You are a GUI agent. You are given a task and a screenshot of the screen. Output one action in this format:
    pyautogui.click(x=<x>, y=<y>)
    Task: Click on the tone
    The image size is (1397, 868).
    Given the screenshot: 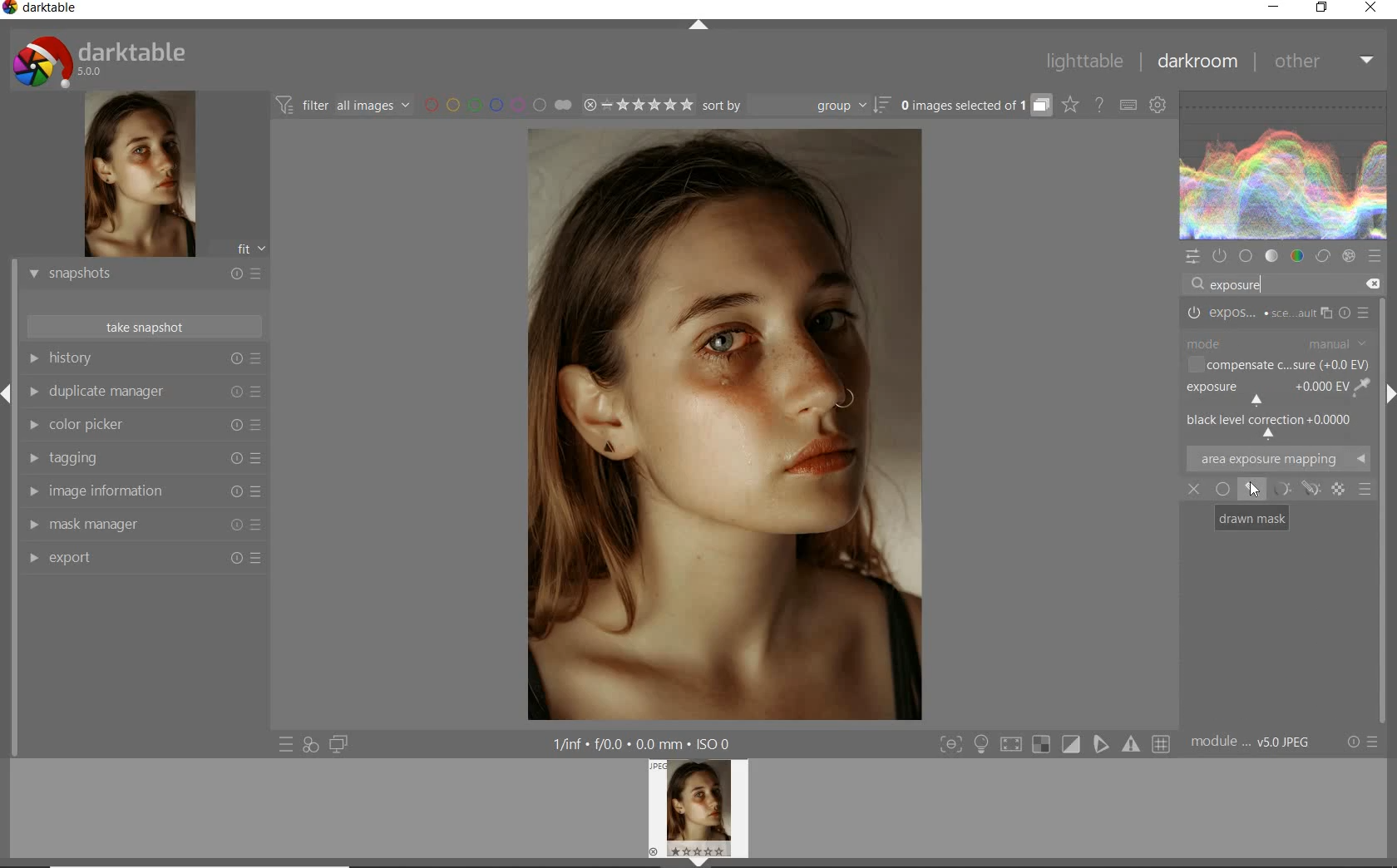 What is the action you would take?
    pyautogui.click(x=1271, y=256)
    